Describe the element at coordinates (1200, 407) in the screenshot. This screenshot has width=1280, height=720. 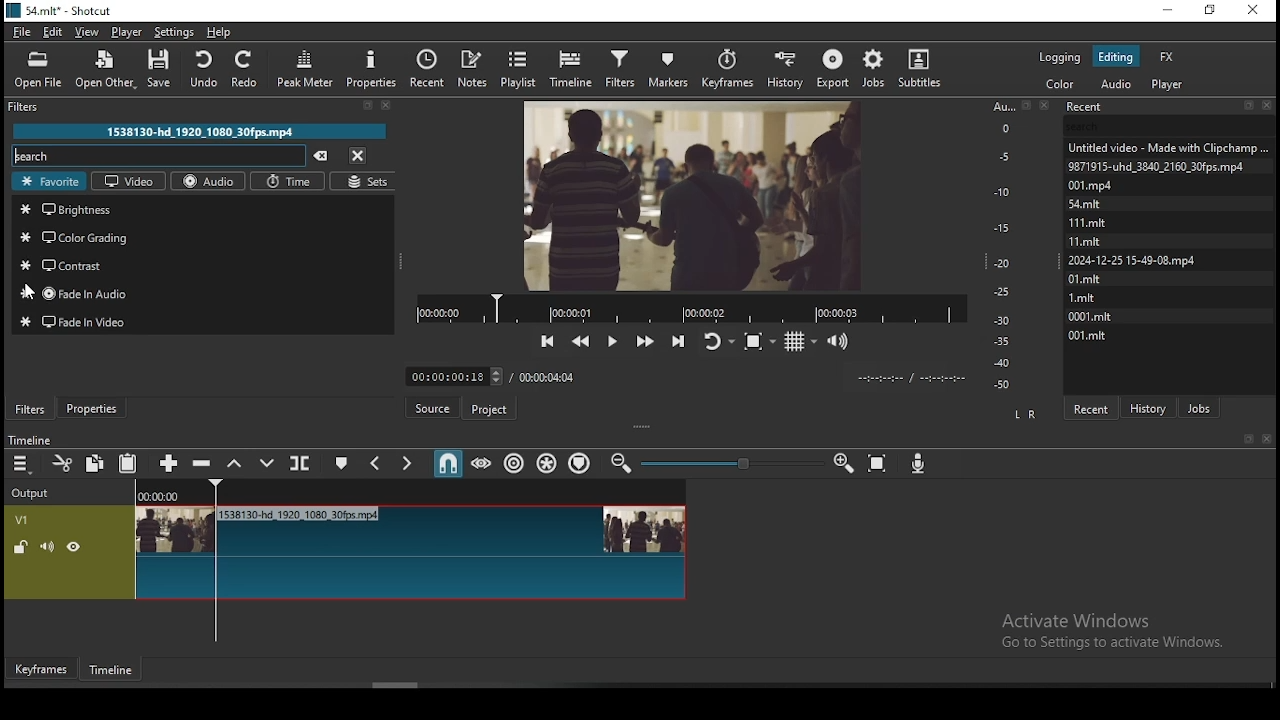
I see `jobs` at that location.